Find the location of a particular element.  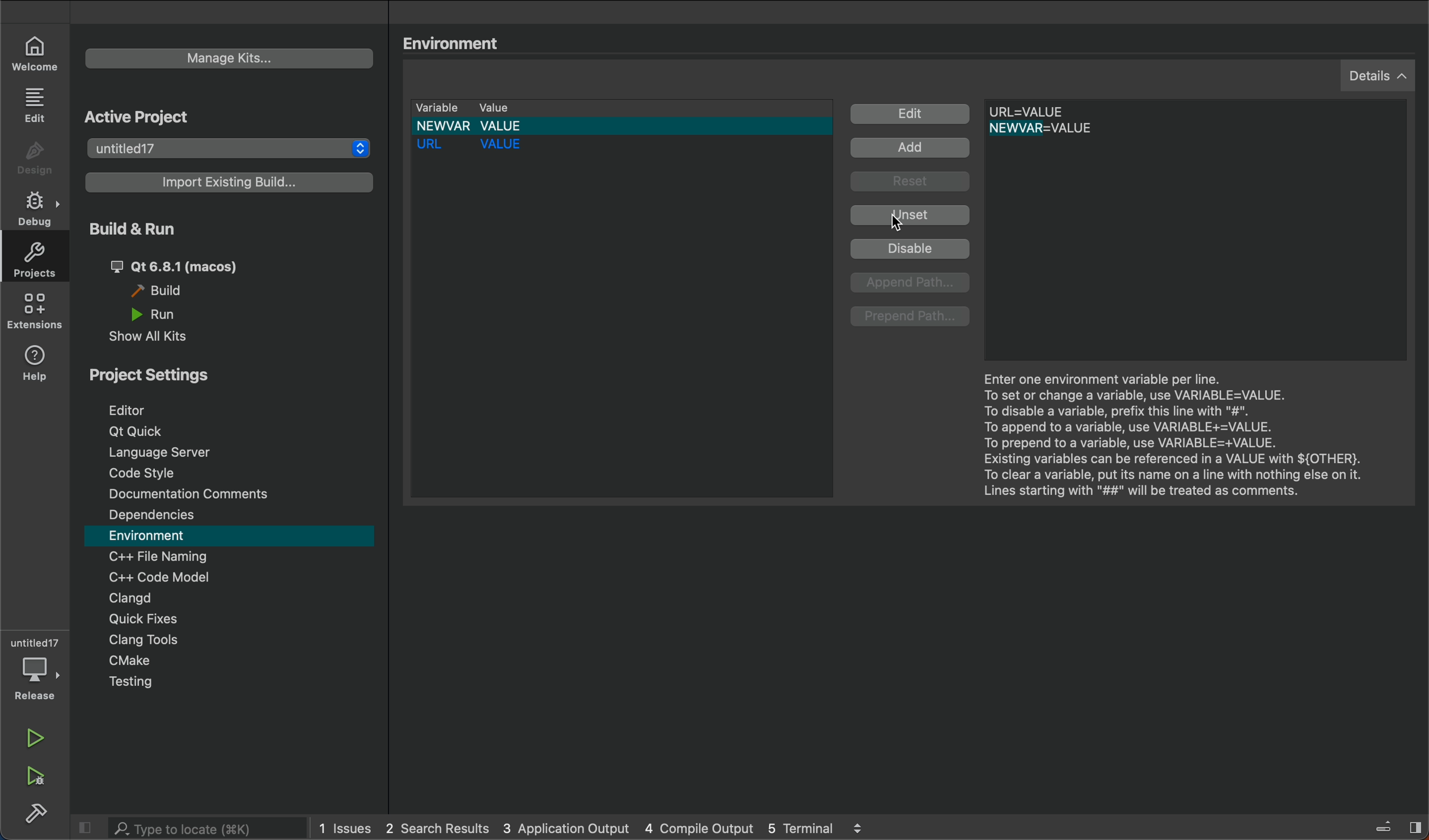

build is located at coordinates (40, 815).